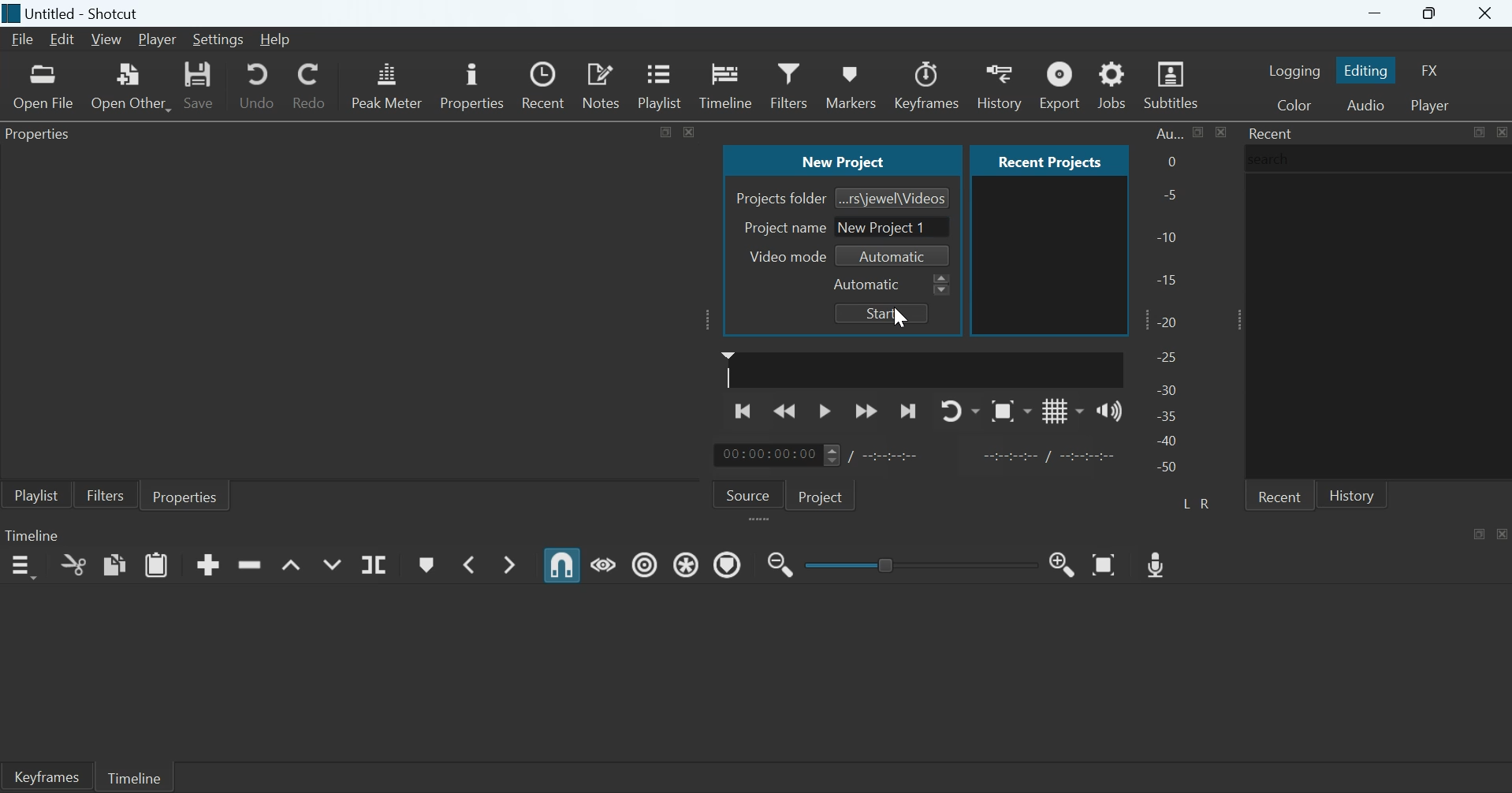 Image resolution: width=1512 pixels, height=793 pixels. What do you see at coordinates (426, 565) in the screenshot?
I see `create/edit marker` at bounding box center [426, 565].